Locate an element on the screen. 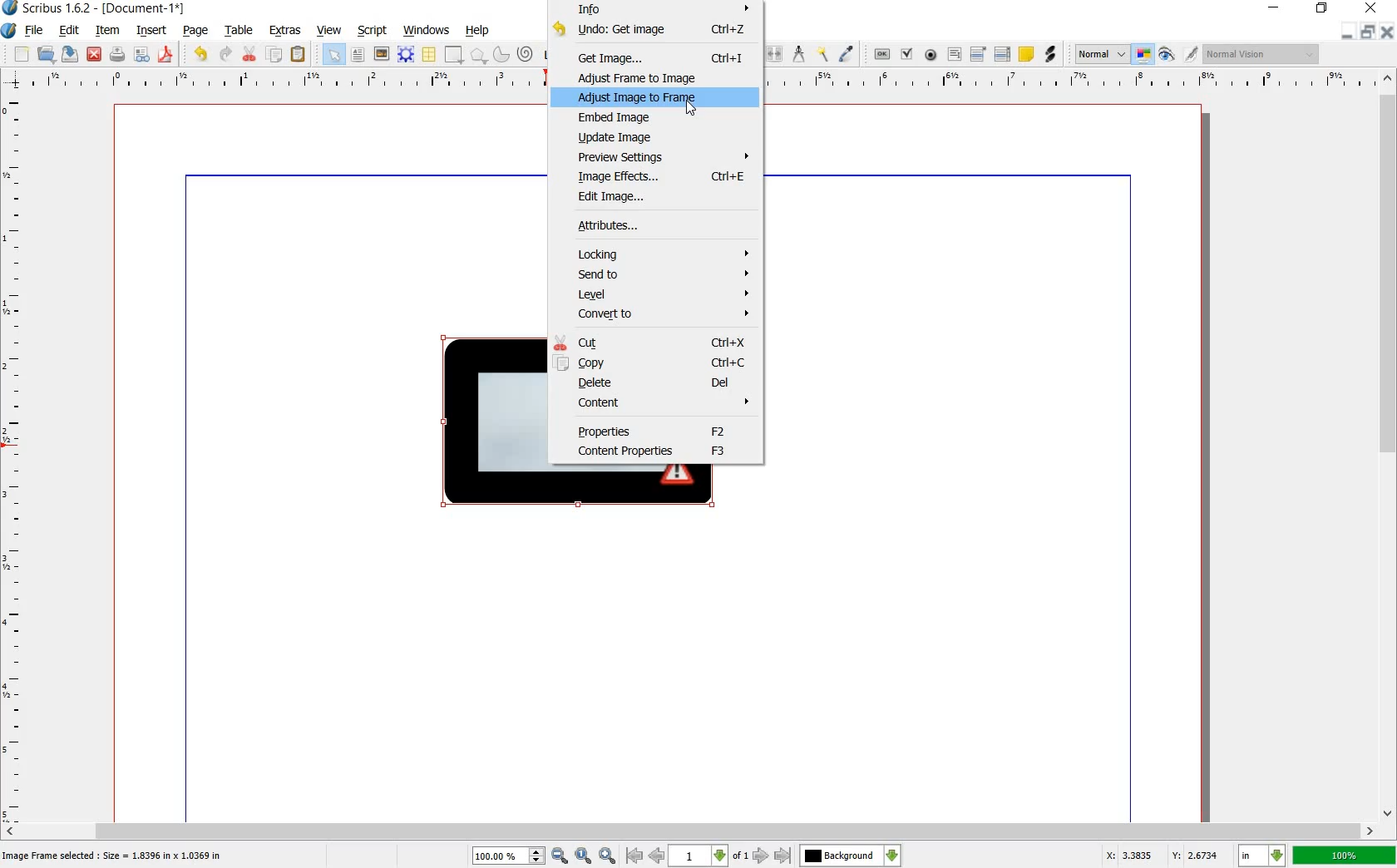 The height and width of the screenshot is (868, 1397). coordinates x: 3.4729 is located at coordinates (1119, 855).